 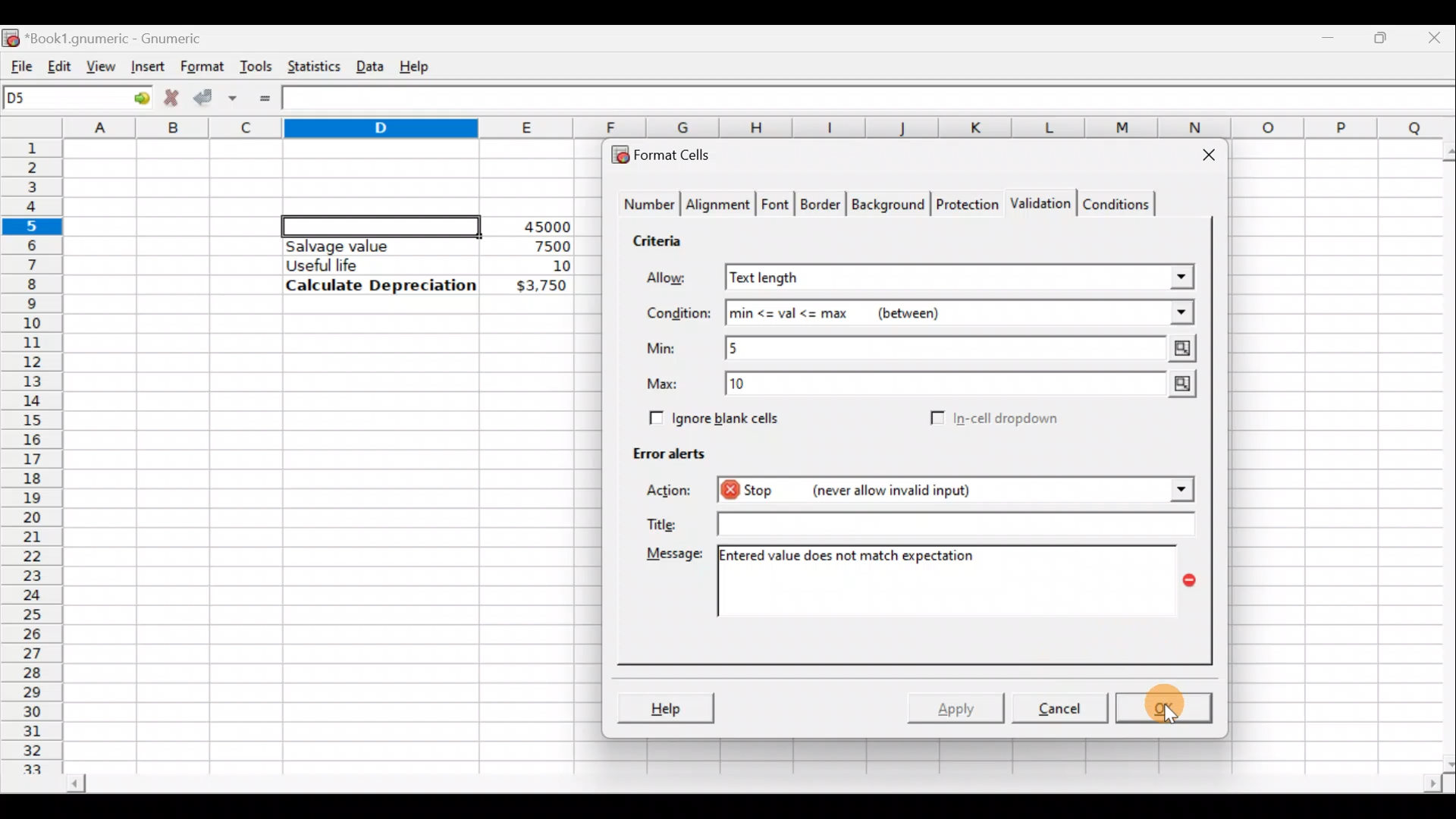 What do you see at coordinates (372, 265) in the screenshot?
I see `Useful life` at bounding box center [372, 265].